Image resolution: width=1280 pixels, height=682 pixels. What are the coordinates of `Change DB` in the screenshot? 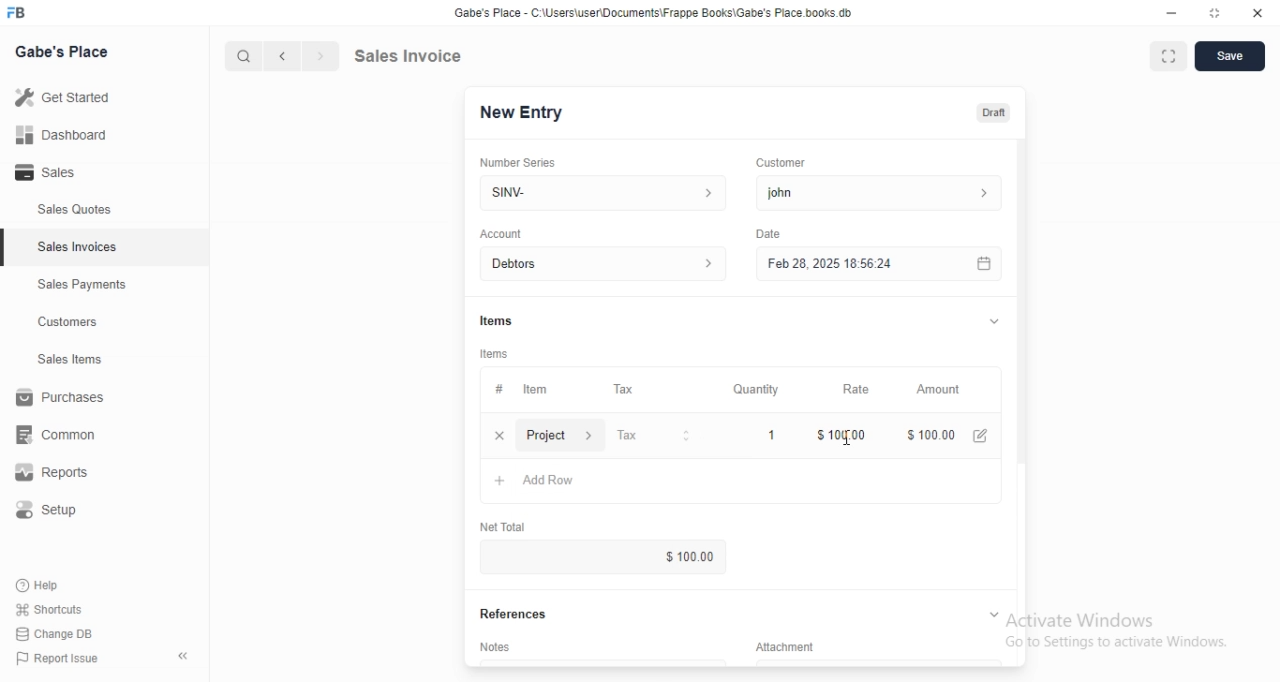 It's located at (58, 635).